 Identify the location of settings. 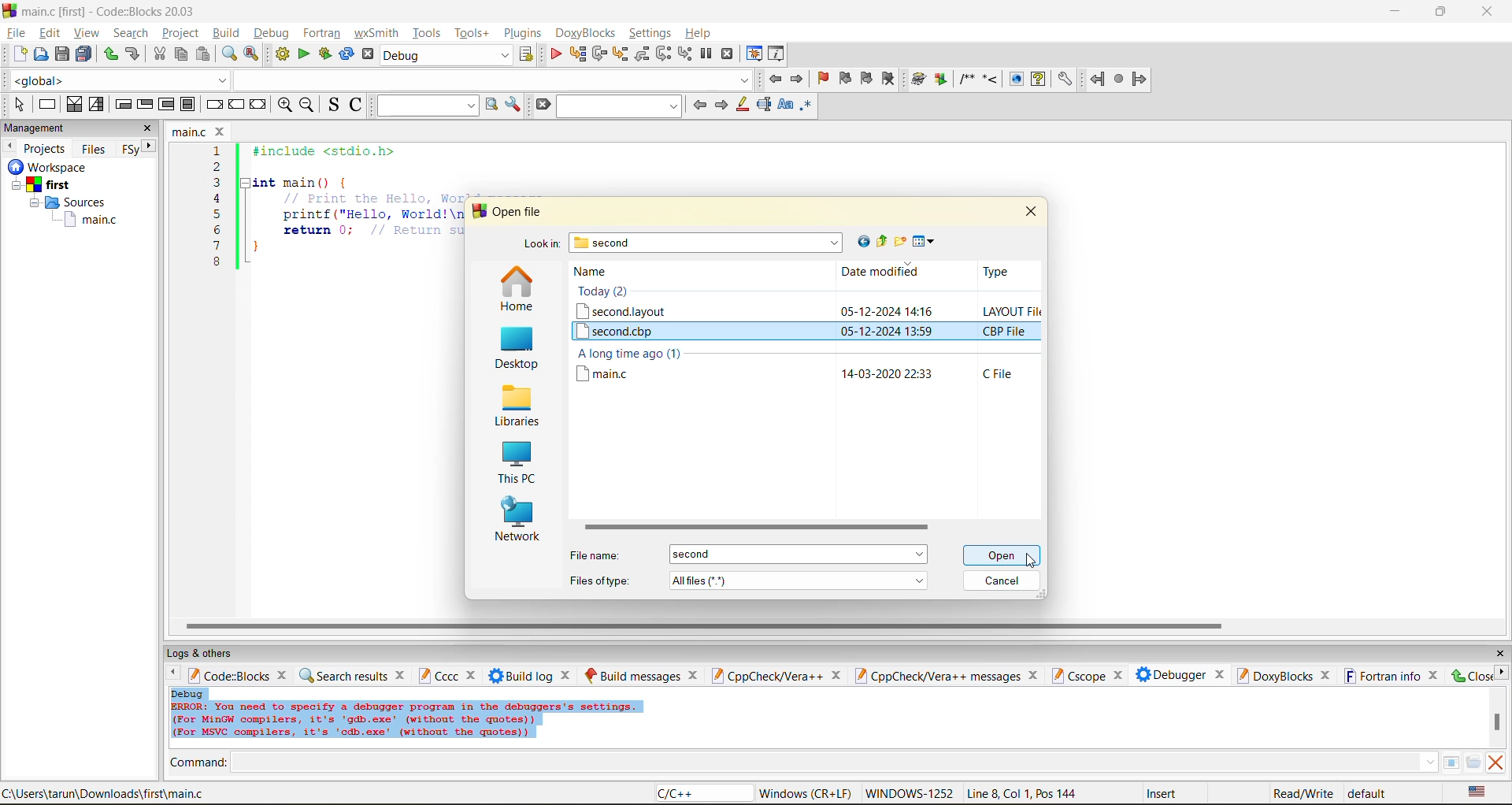
(651, 33).